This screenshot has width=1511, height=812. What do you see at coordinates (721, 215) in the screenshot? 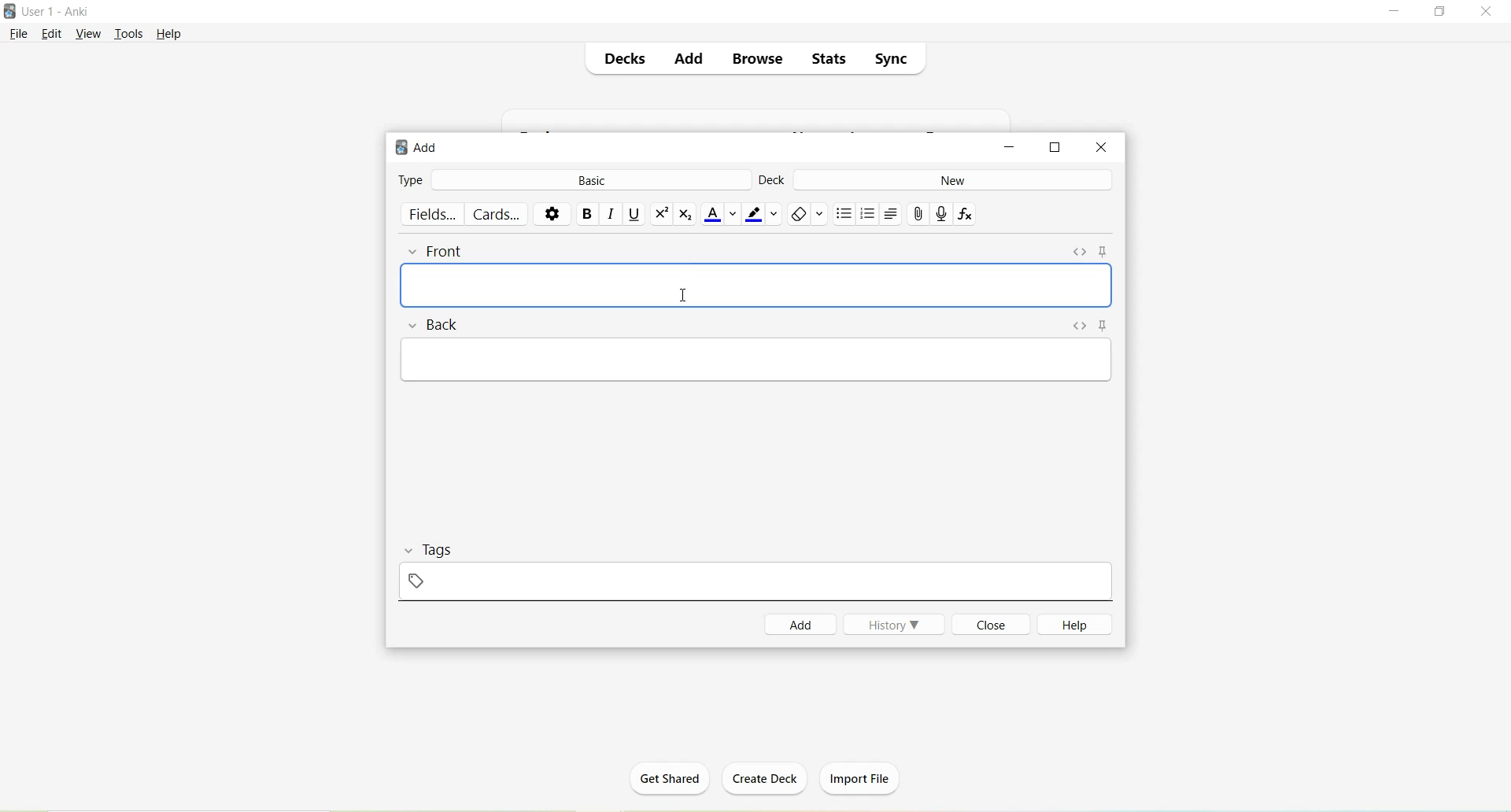
I see `Text color` at bounding box center [721, 215].